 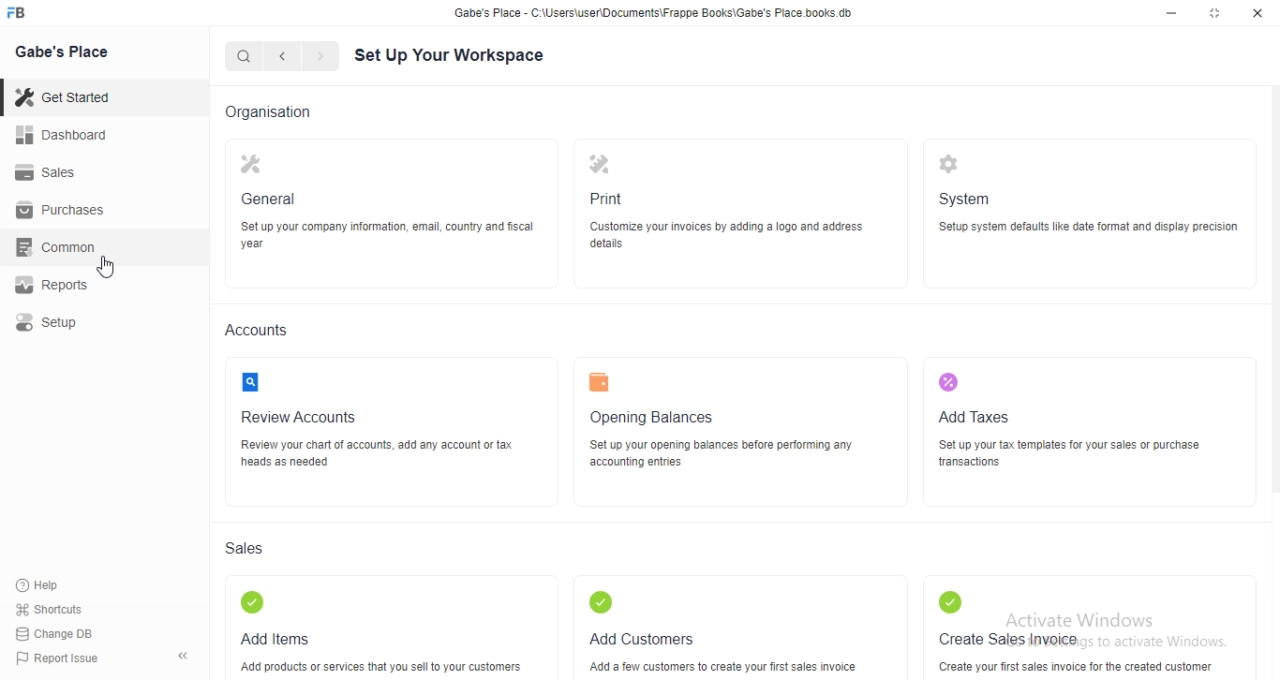 What do you see at coordinates (721, 667) in the screenshot?
I see `‘Add a few customers to create your first sales invoice` at bounding box center [721, 667].